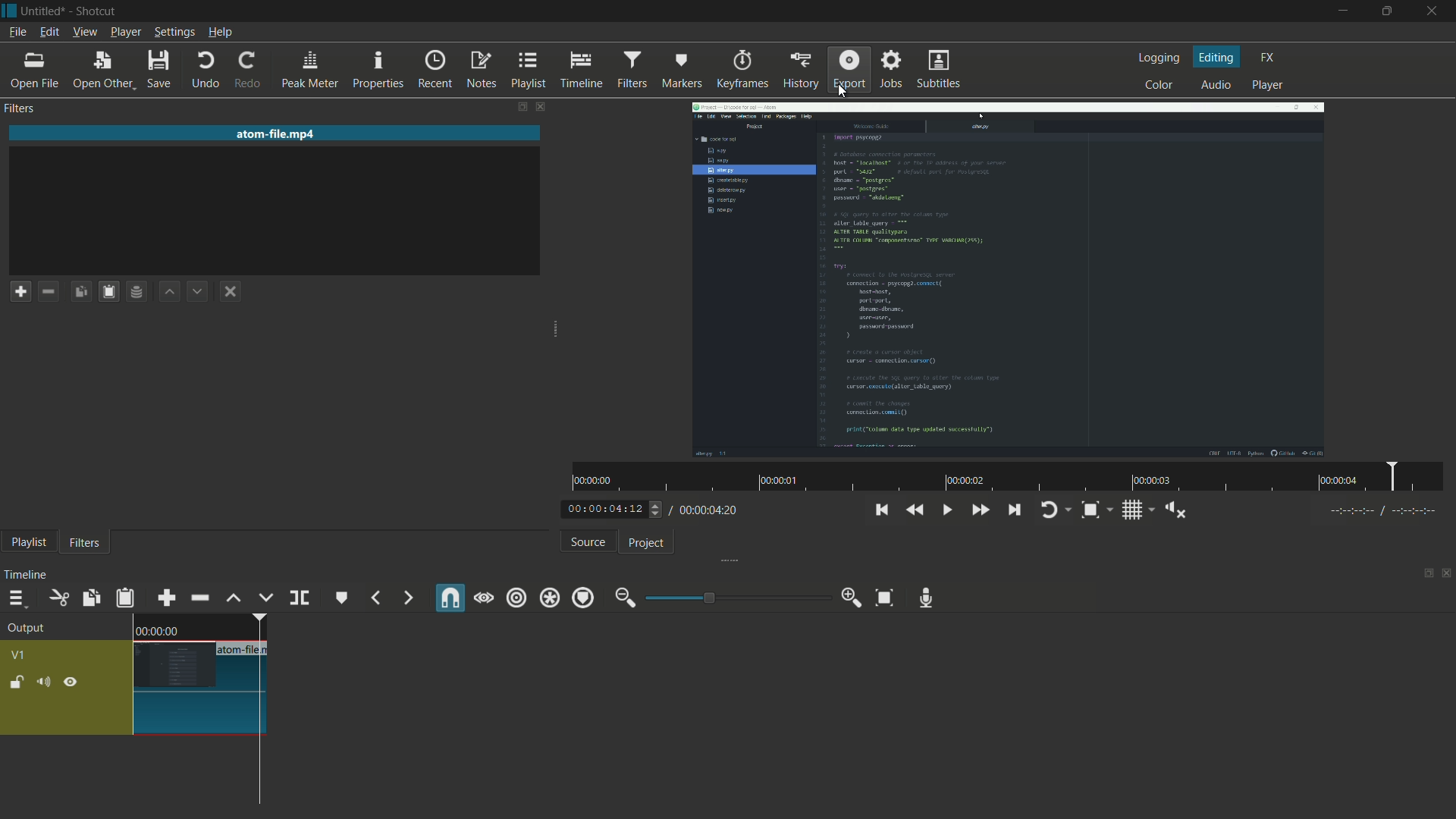  I want to click on audio, so click(1216, 85).